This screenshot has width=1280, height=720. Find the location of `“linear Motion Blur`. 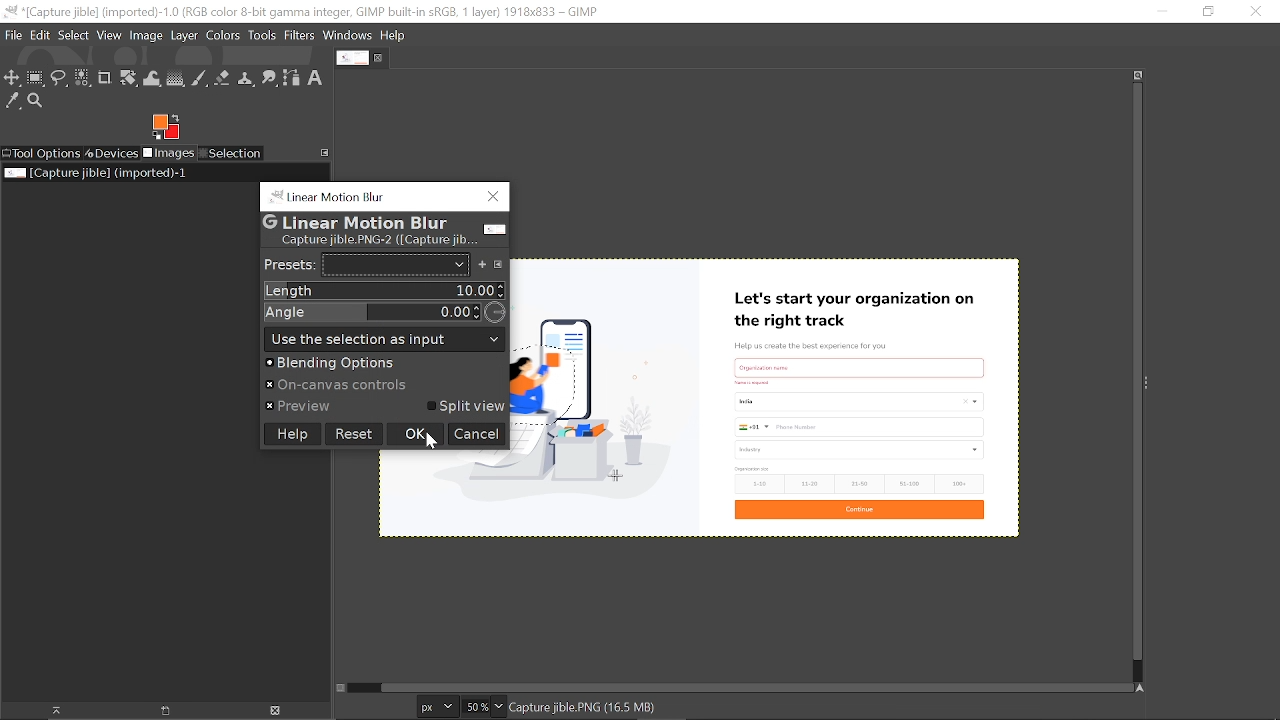

“linear Motion Blur is located at coordinates (327, 195).